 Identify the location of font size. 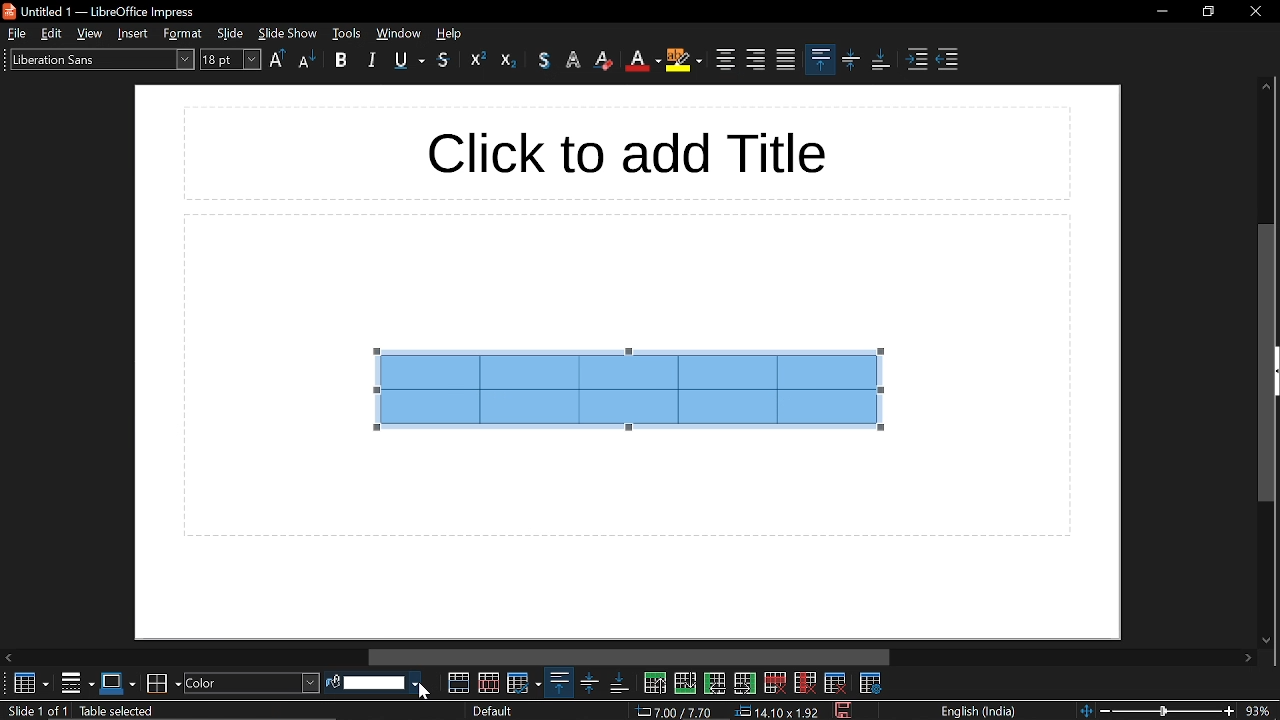
(231, 59).